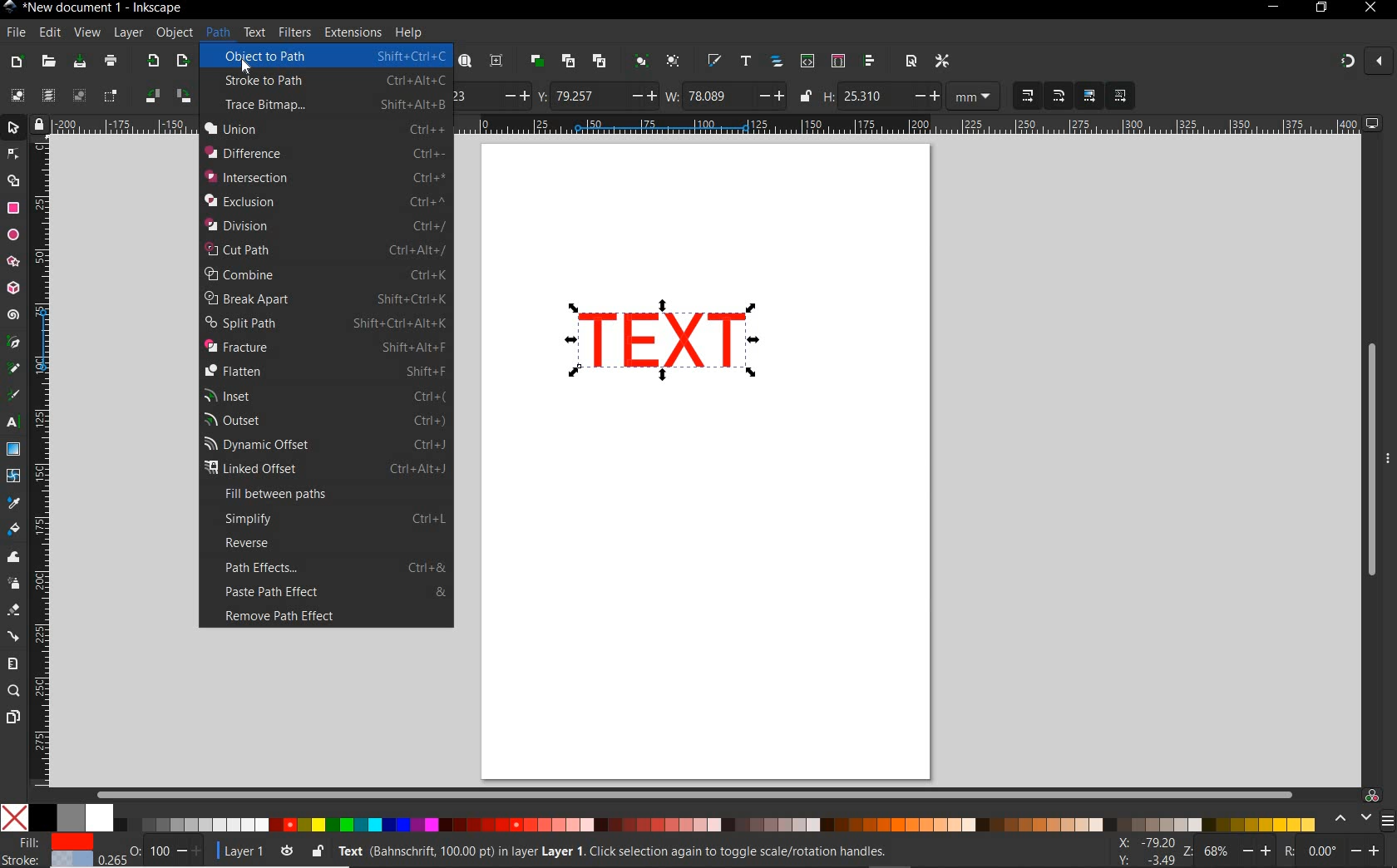  I want to click on CURSOR COORDINATES, so click(1142, 852).